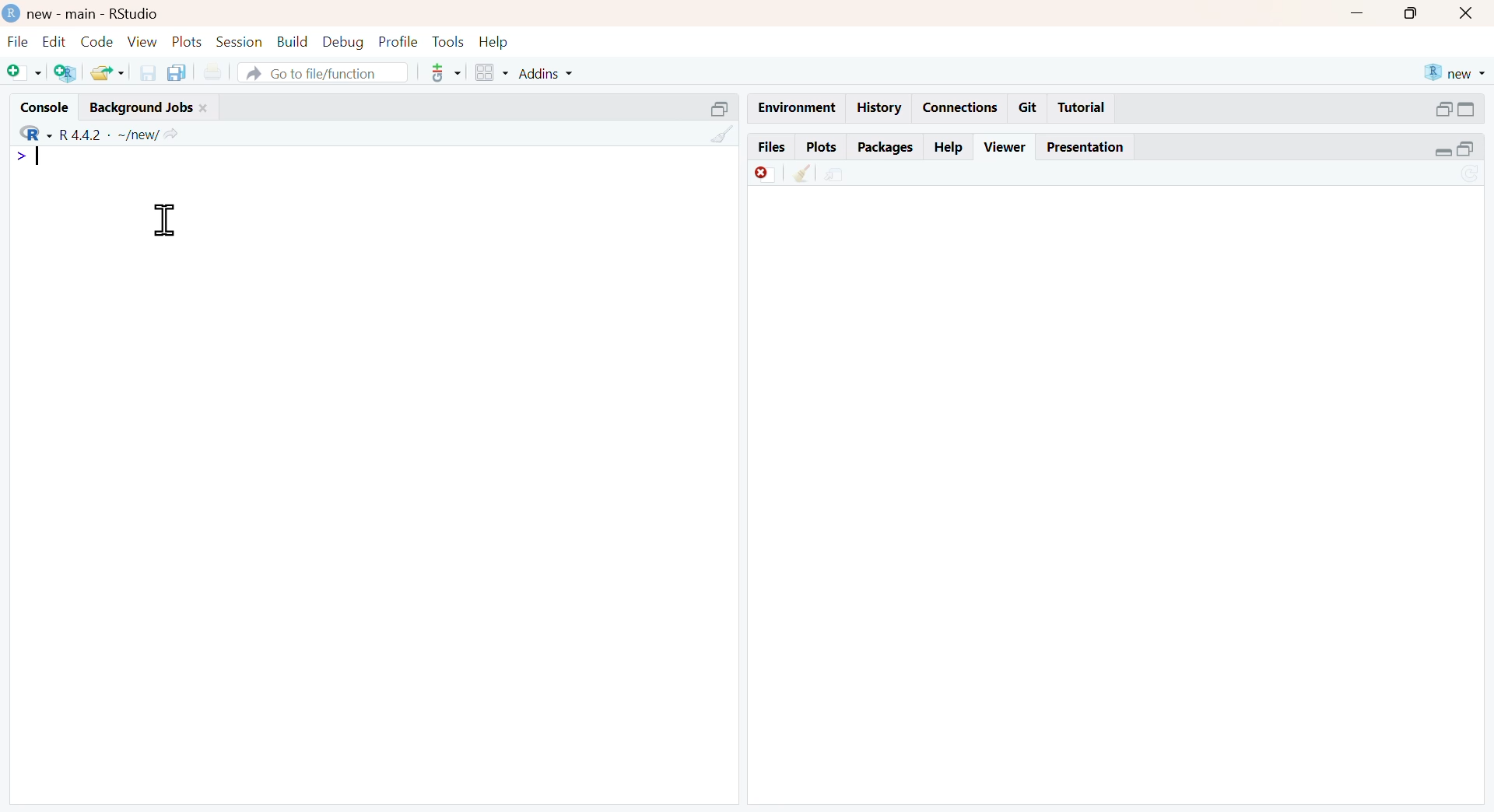 The image size is (1494, 812). Describe the element at coordinates (437, 73) in the screenshot. I see `version control` at that location.